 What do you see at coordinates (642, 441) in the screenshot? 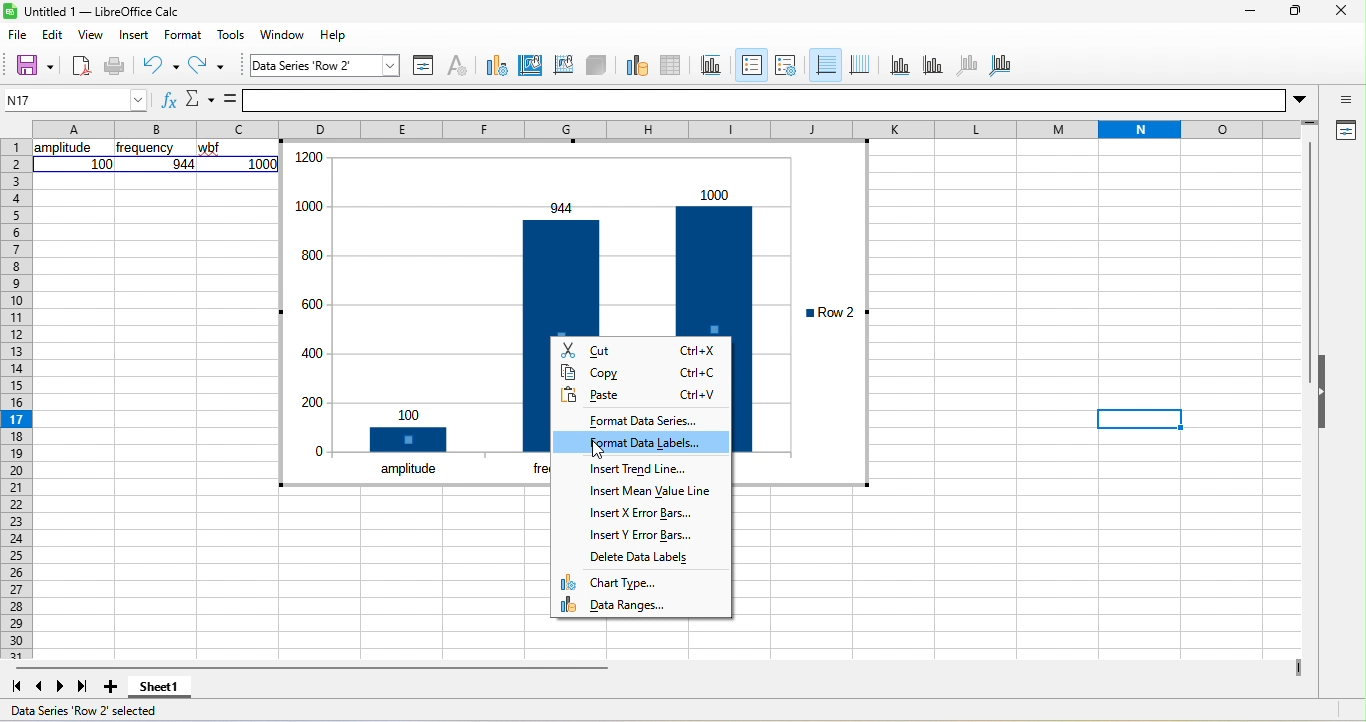
I see `format data labels` at bounding box center [642, 441].